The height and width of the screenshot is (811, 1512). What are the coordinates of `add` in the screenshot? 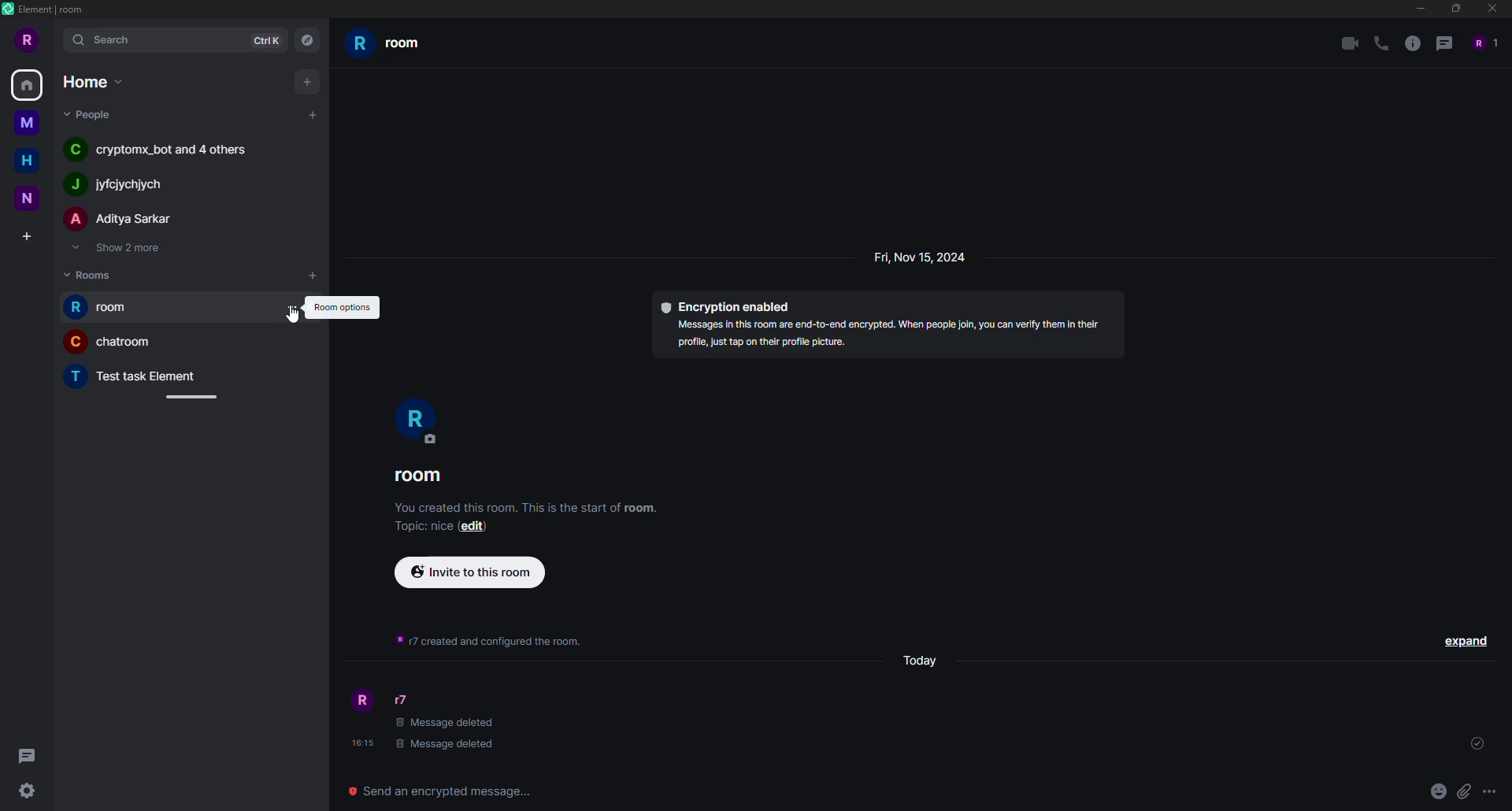 It's located at (313, 278).